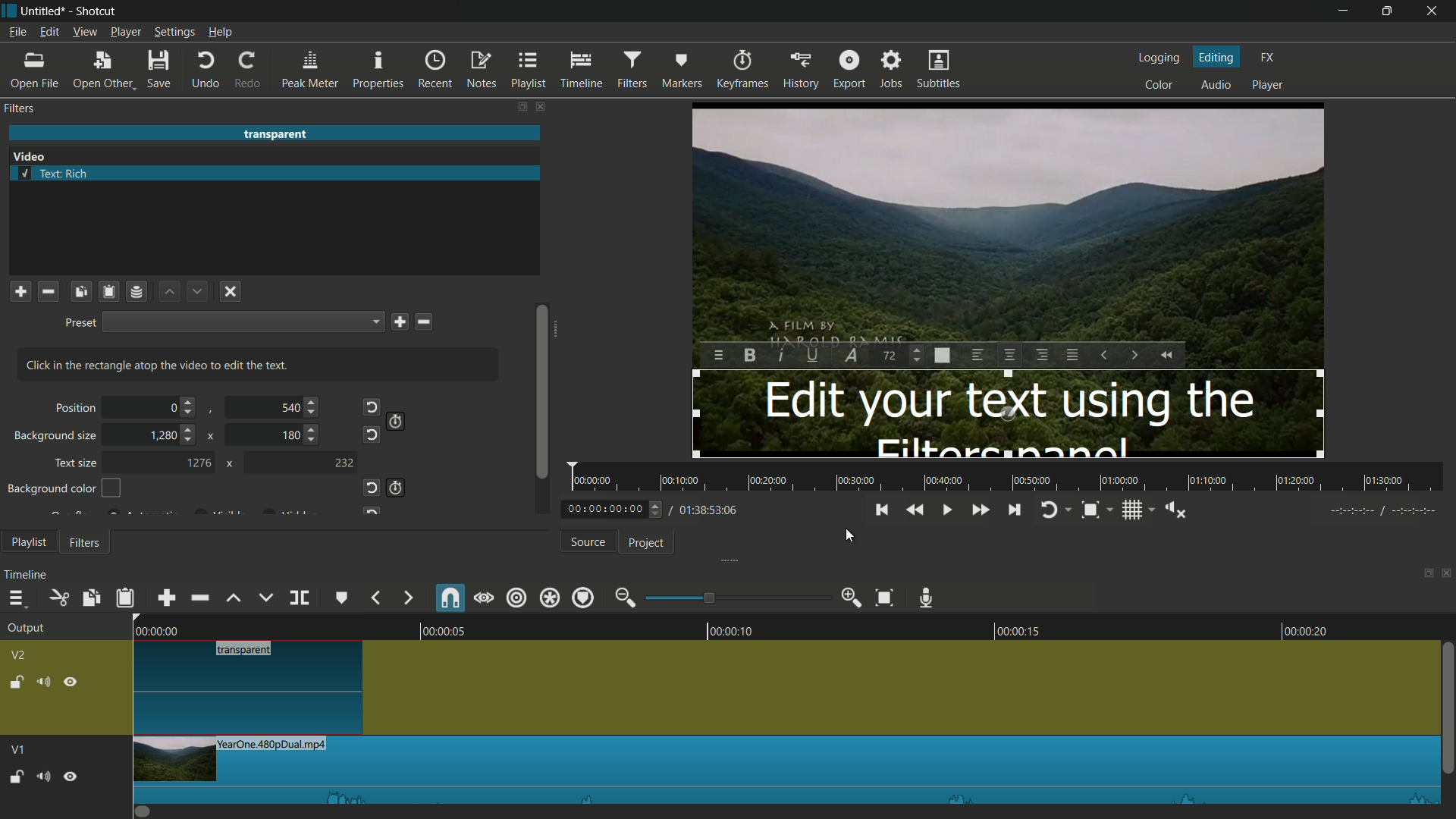  What do you see at coordinates (74, 409) in the screenshot?
I see `position` at bounding box center [74, 409].